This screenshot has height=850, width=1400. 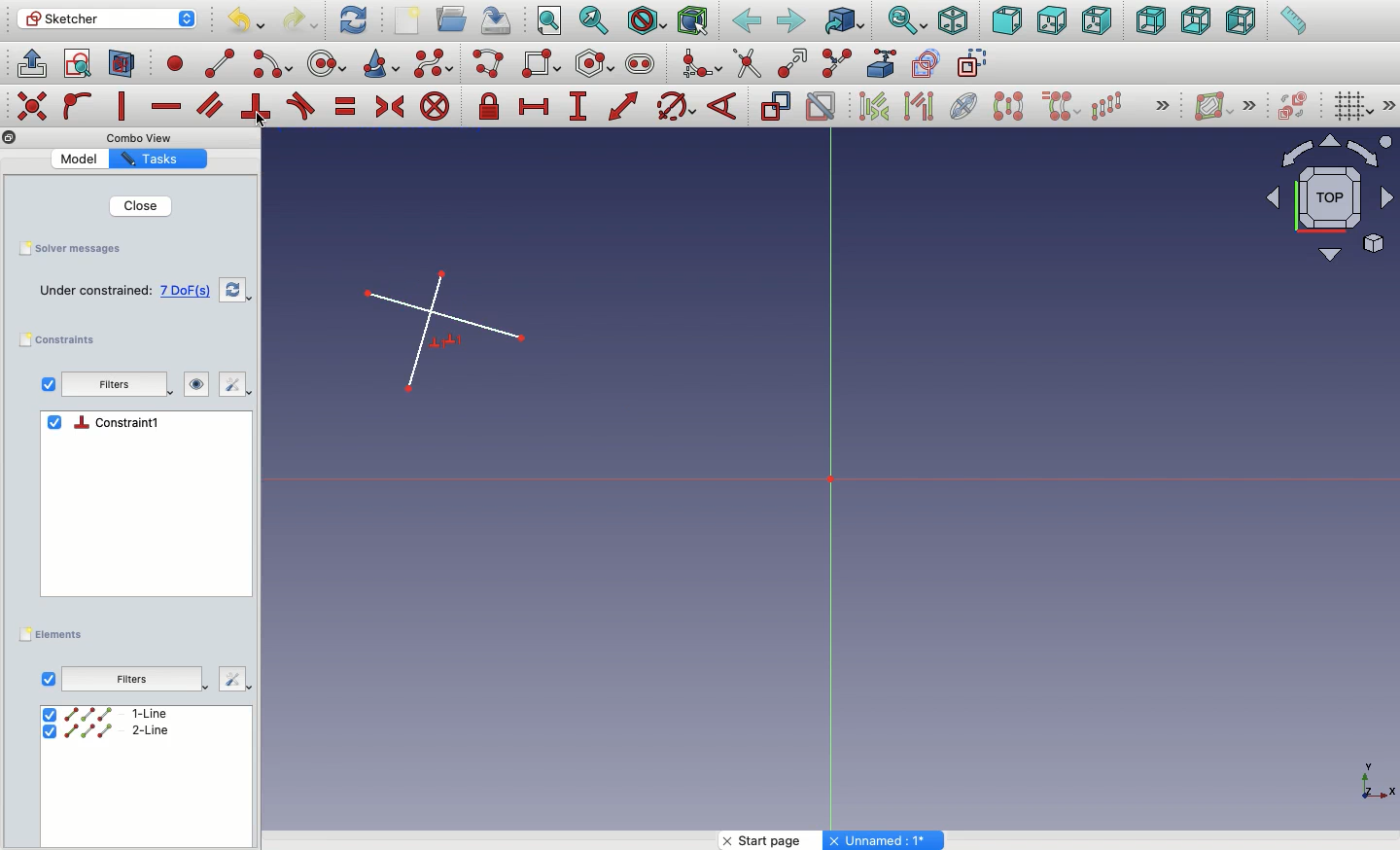 I want to click on Internal geometry, so click(x=965, y=105).